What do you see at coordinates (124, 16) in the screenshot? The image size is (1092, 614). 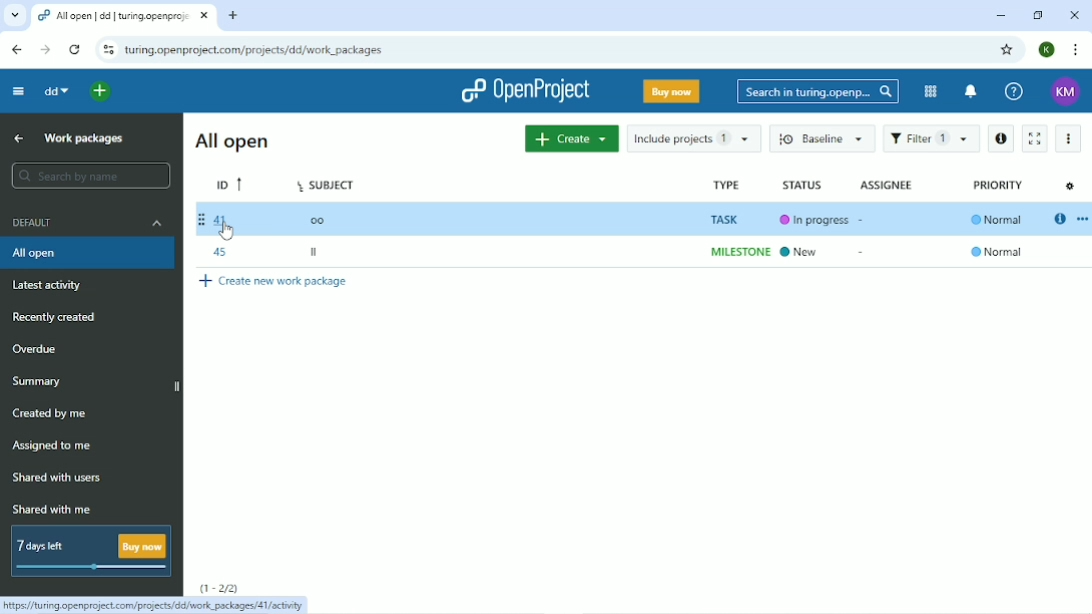 I see `Current tab` at bounding box center [124, 16].